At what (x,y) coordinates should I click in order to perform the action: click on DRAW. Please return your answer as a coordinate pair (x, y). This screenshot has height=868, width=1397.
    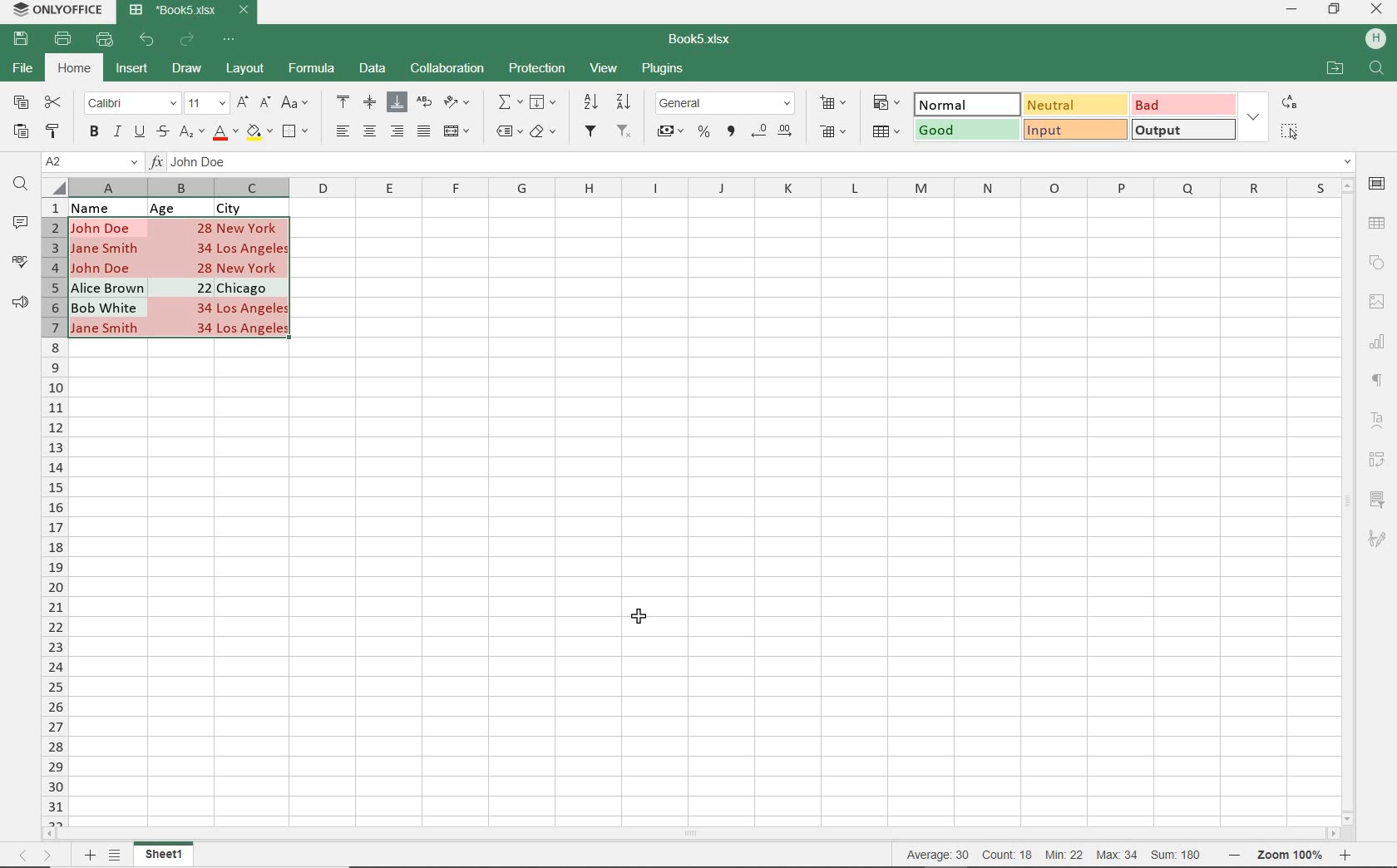
    Looking at the image, I should click on (188, 68).